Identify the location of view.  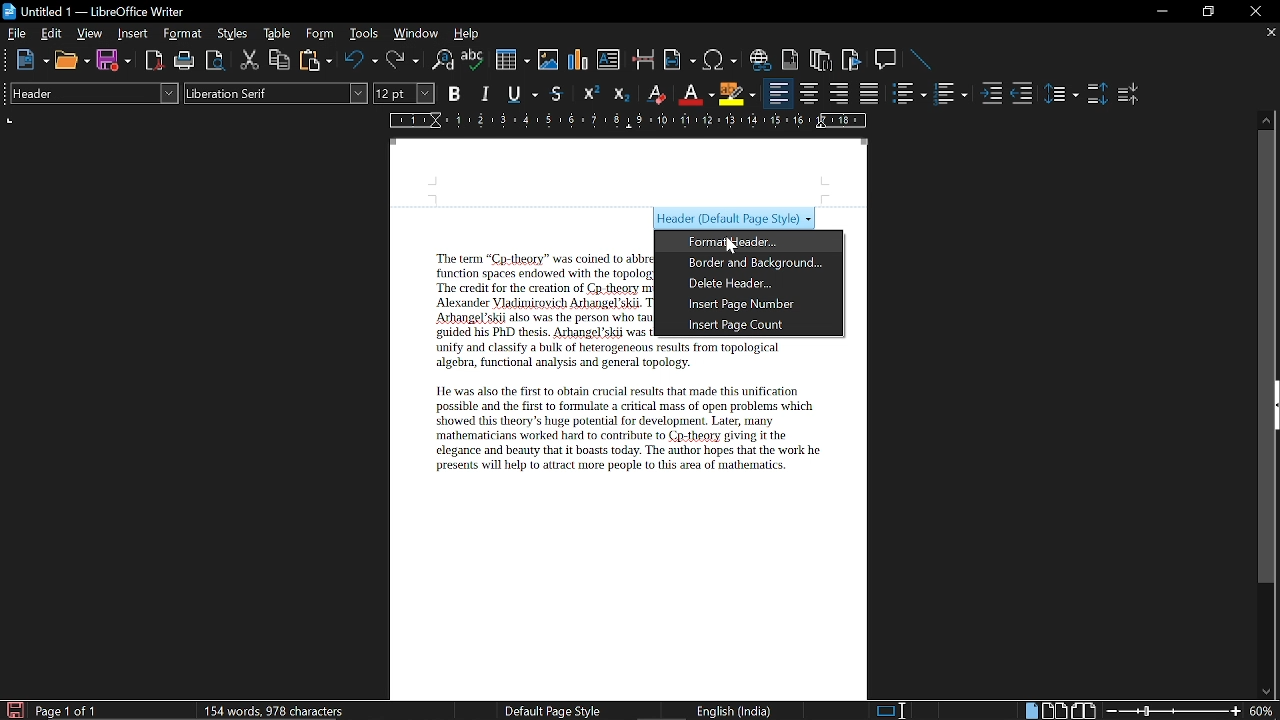
(90, 33).